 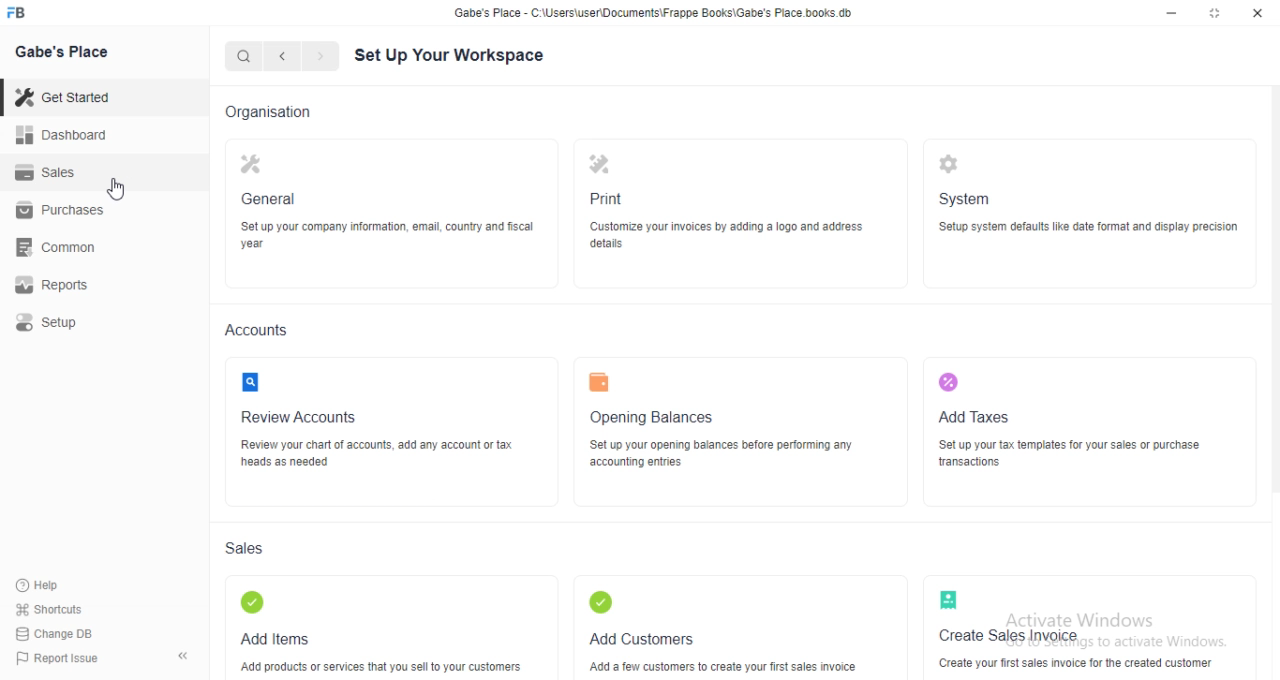 What do you see at coordinates (61, 209) in the screenshot?
I see `Purchases` at bounding box center [61, 209].